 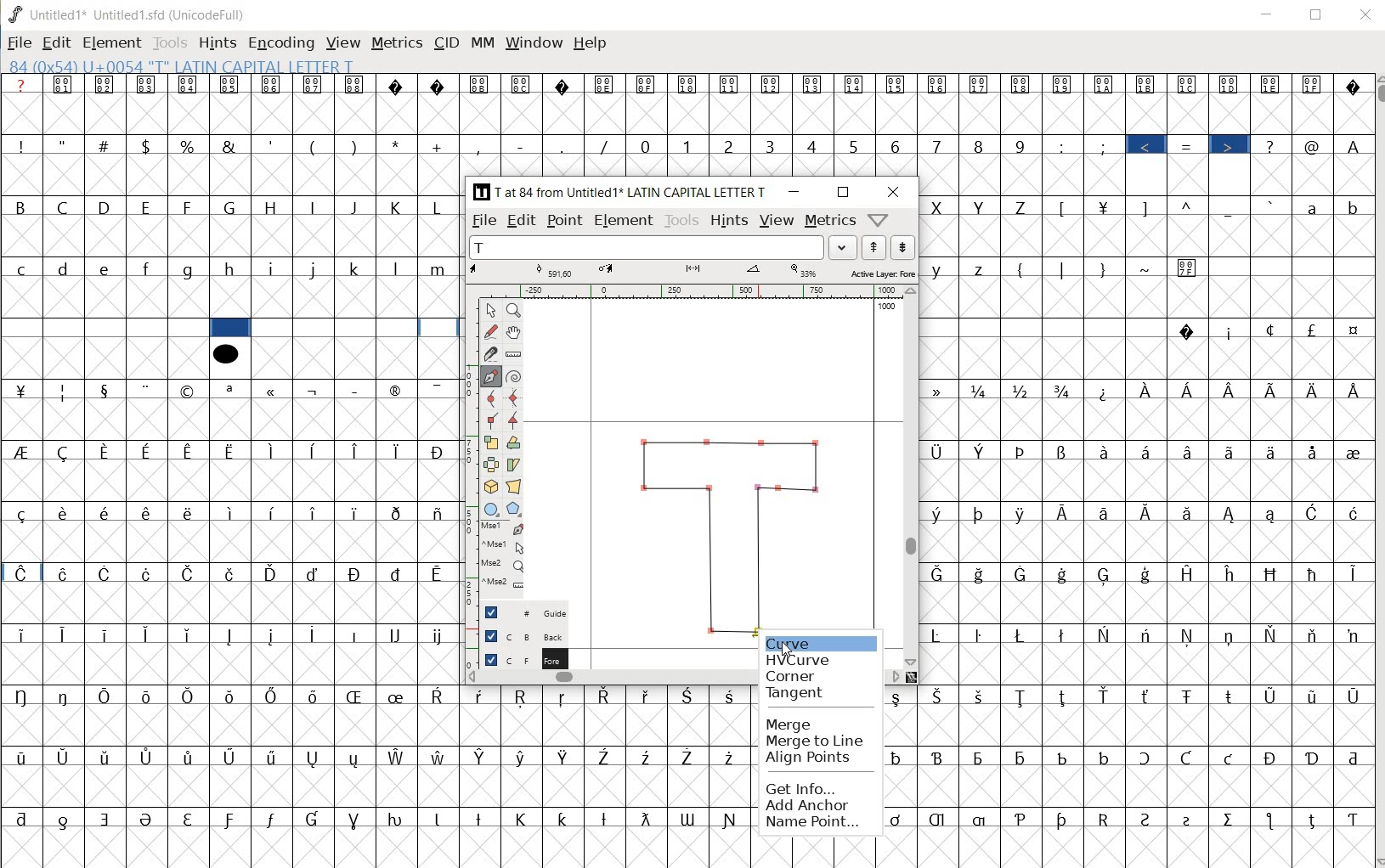 I want to click on Symbol, so click(x=315, y=84).